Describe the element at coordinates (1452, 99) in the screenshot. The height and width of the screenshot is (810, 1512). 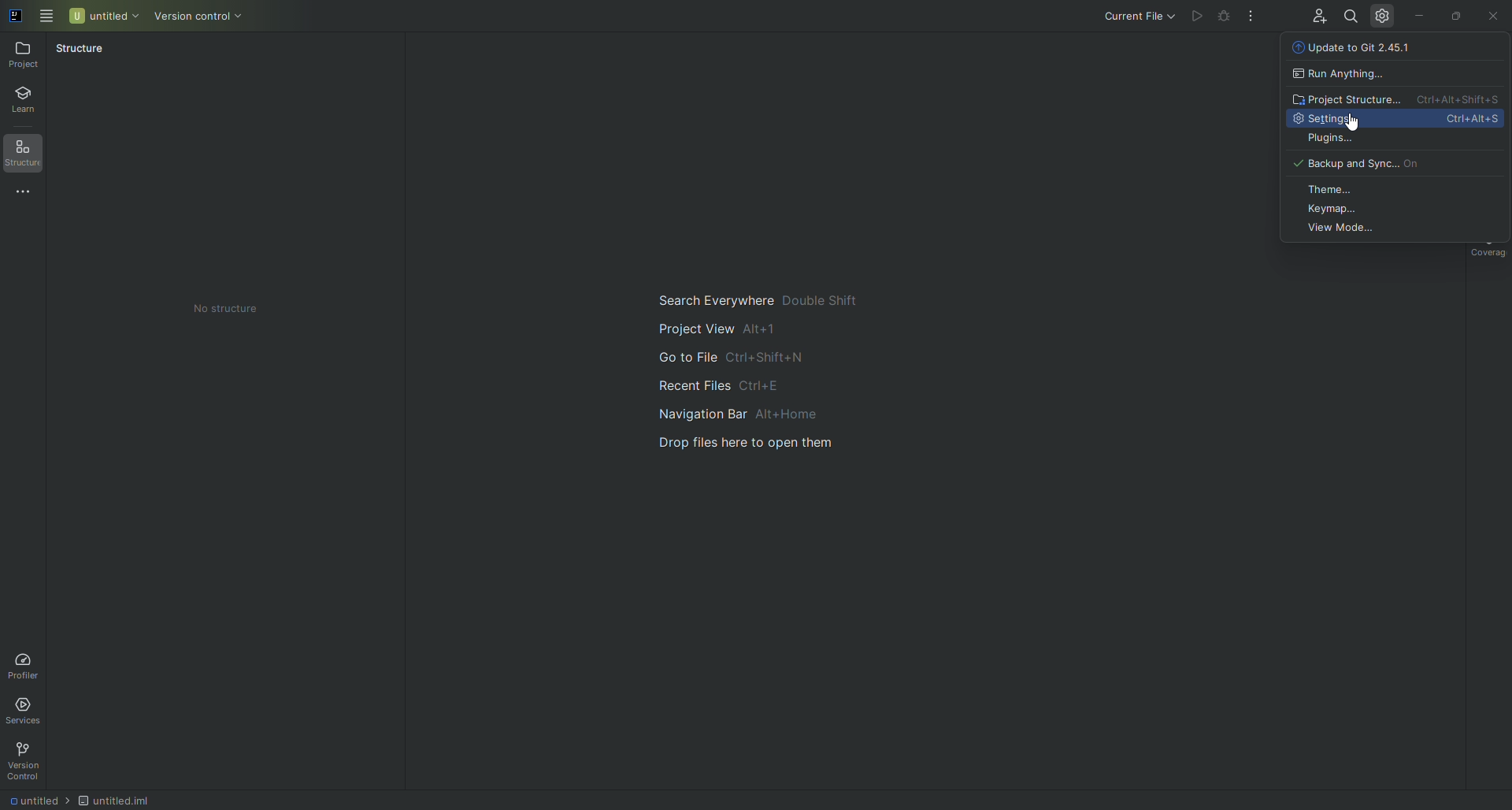
I see `Ctri+Alt+Shift+s` at that location.